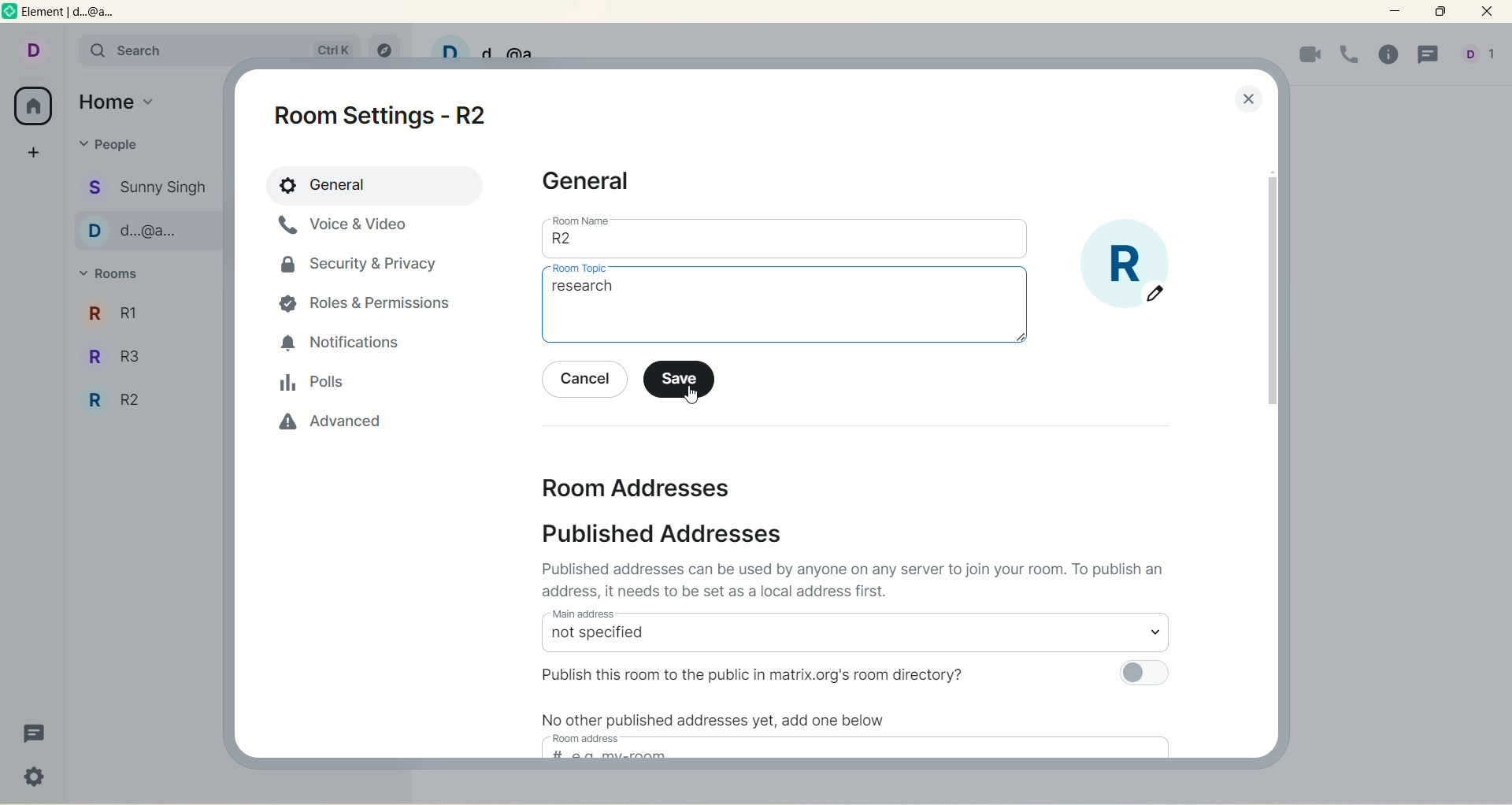 This screenshot has width=1512, height=805. What do you see at coordinates (785, 245) in the screenshot?
I see `room name` at bounding box center [785, 245].